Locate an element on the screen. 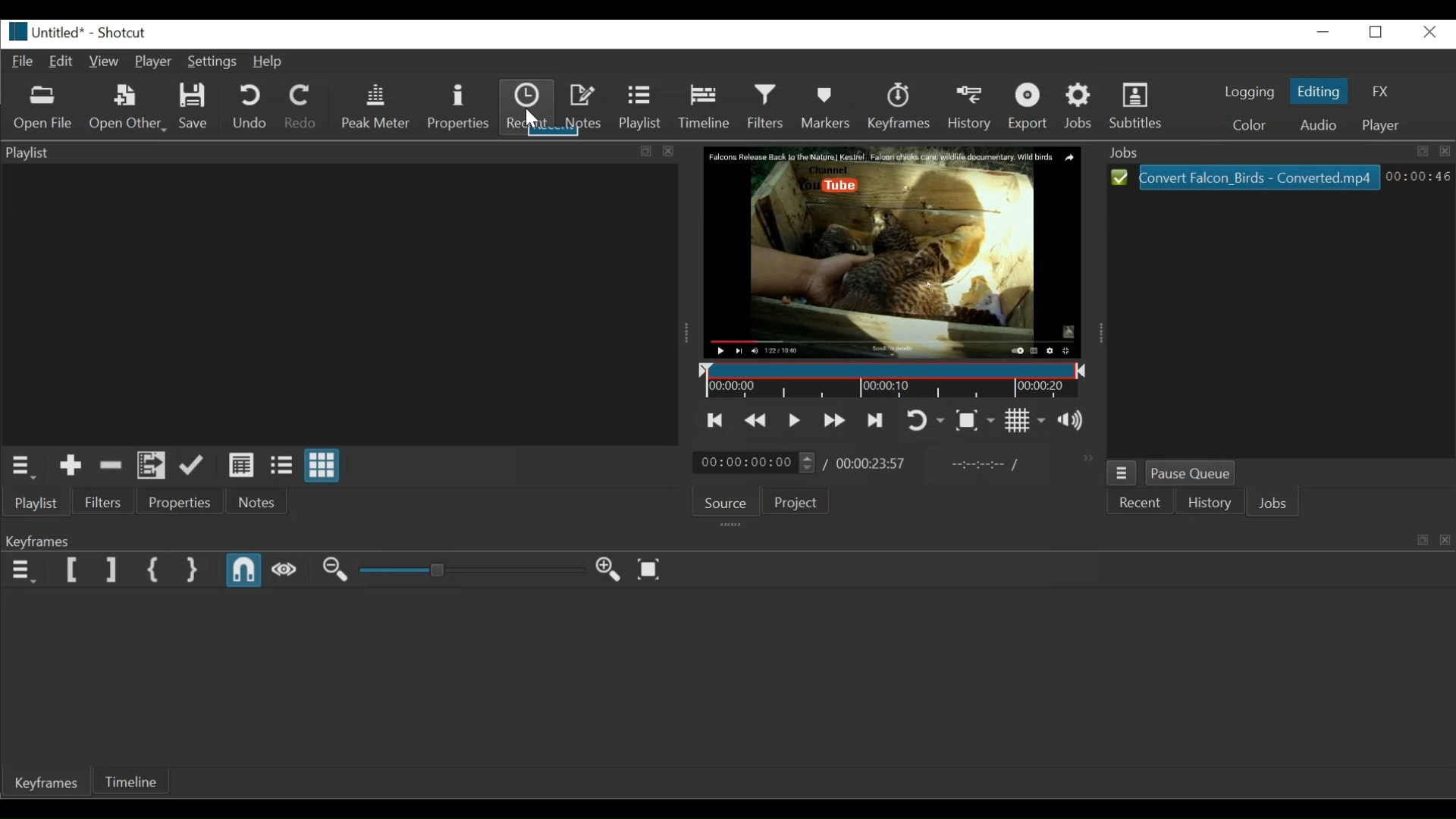  Save is located at coordinates (194, 106).